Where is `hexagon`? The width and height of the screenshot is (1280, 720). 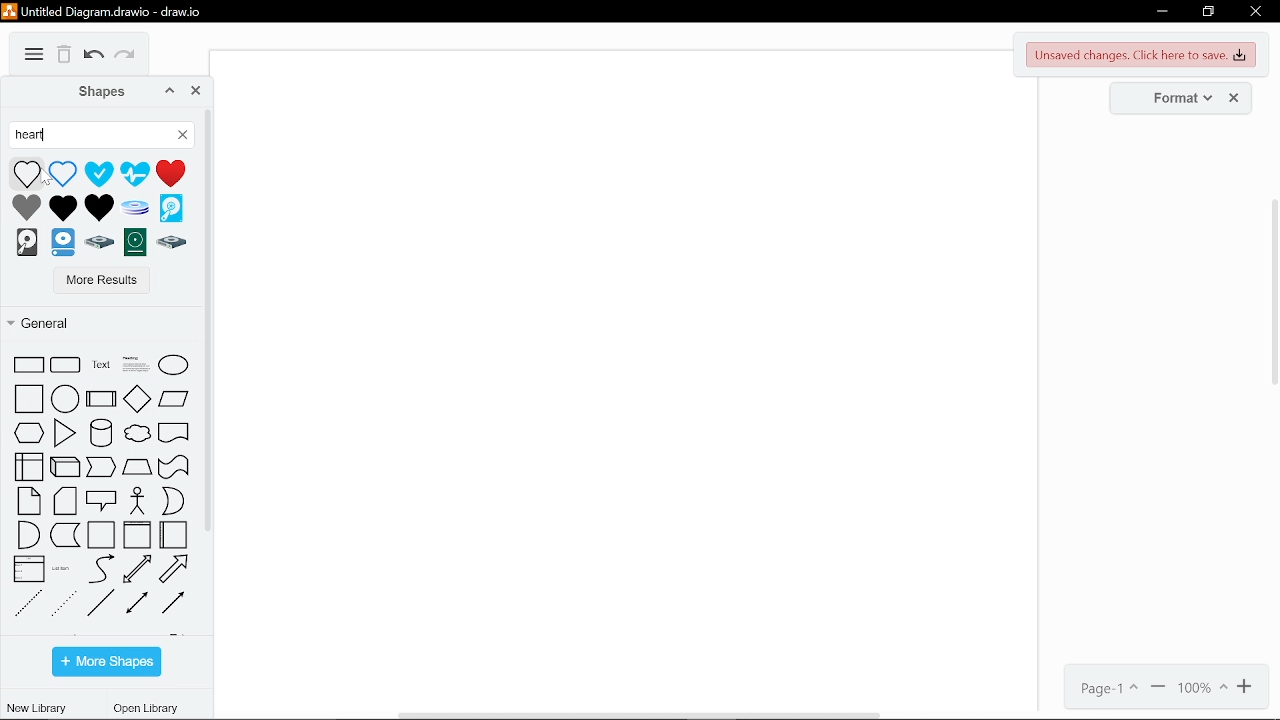
hexagon is located at coordinates (30, 431).